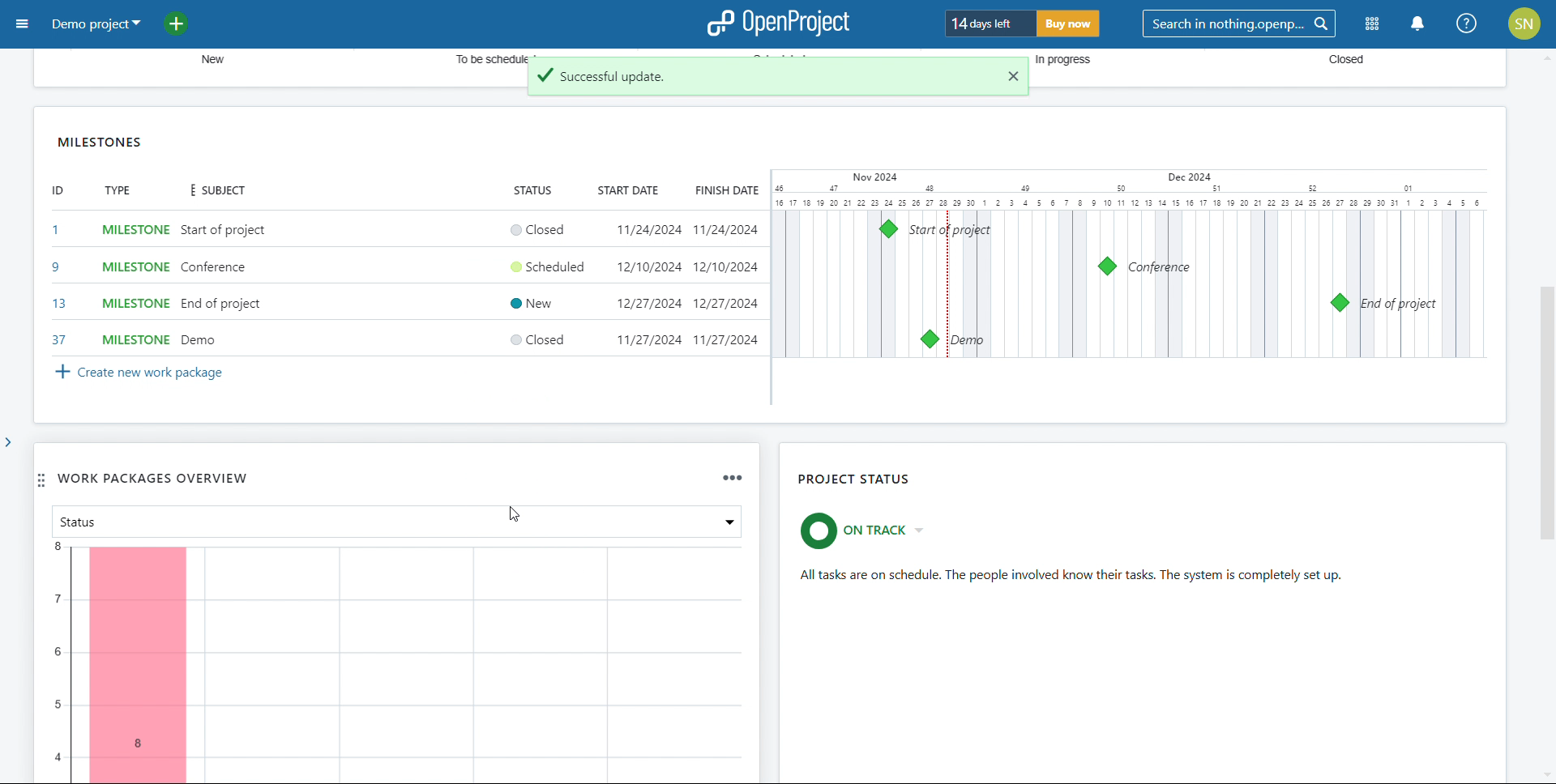 The image size is (1556, 784). Describe the element at coordinates (1074, 576) in the screenshot. I see `status` at that location.